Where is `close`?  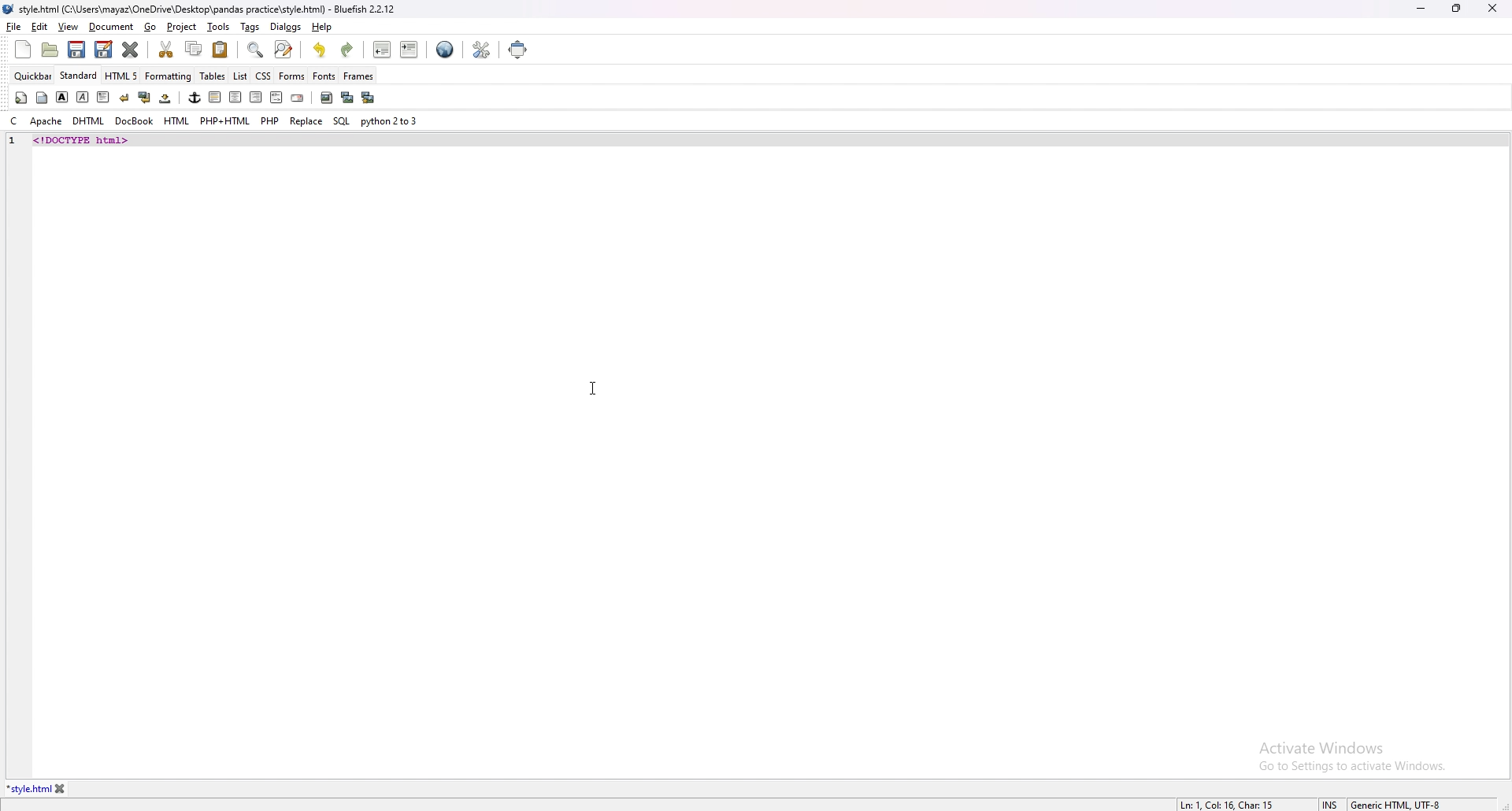 close is located at coordinates (1492, 8).